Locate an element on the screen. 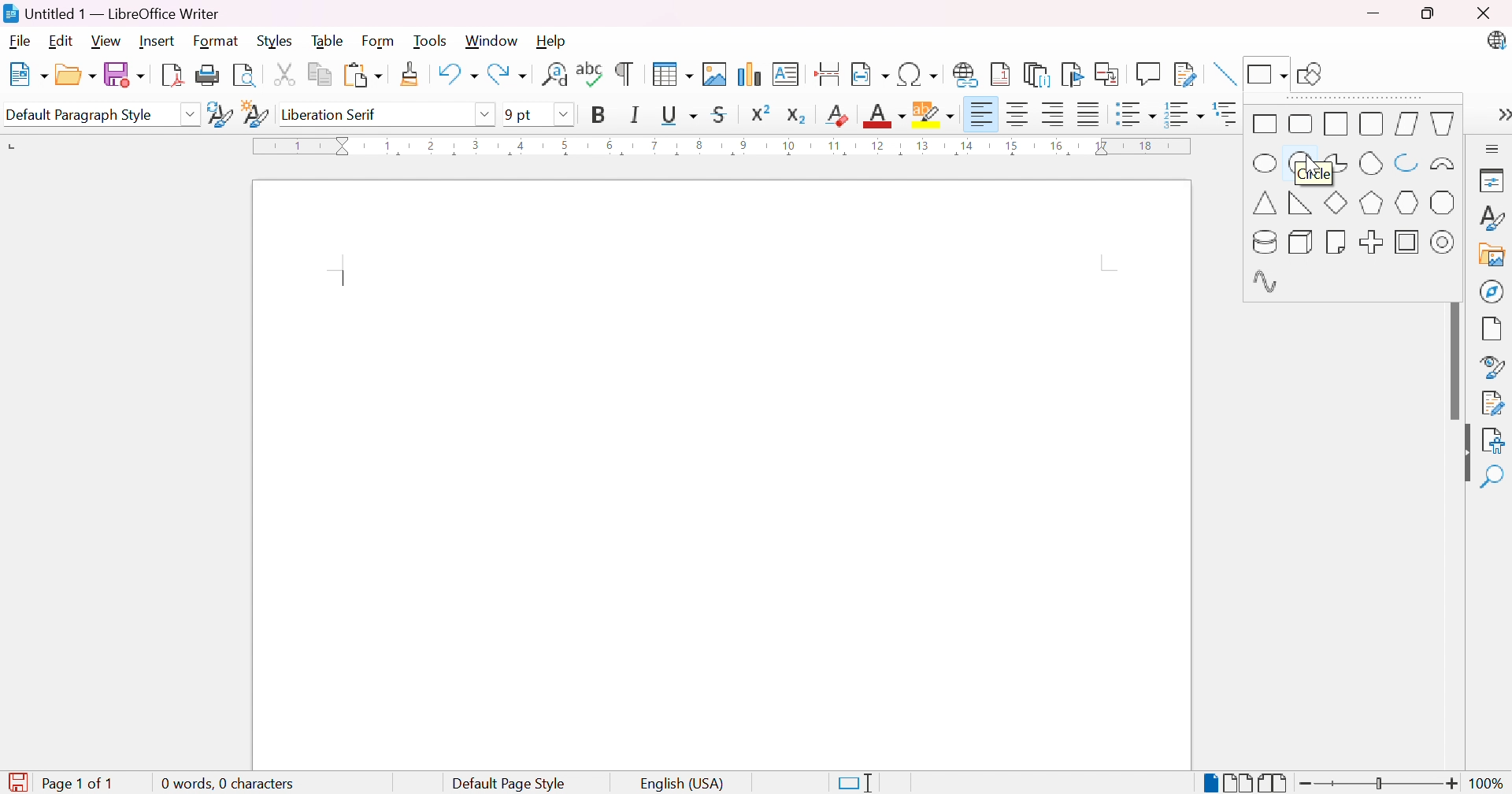  Insert special characters is located at coordinates (917, 73).